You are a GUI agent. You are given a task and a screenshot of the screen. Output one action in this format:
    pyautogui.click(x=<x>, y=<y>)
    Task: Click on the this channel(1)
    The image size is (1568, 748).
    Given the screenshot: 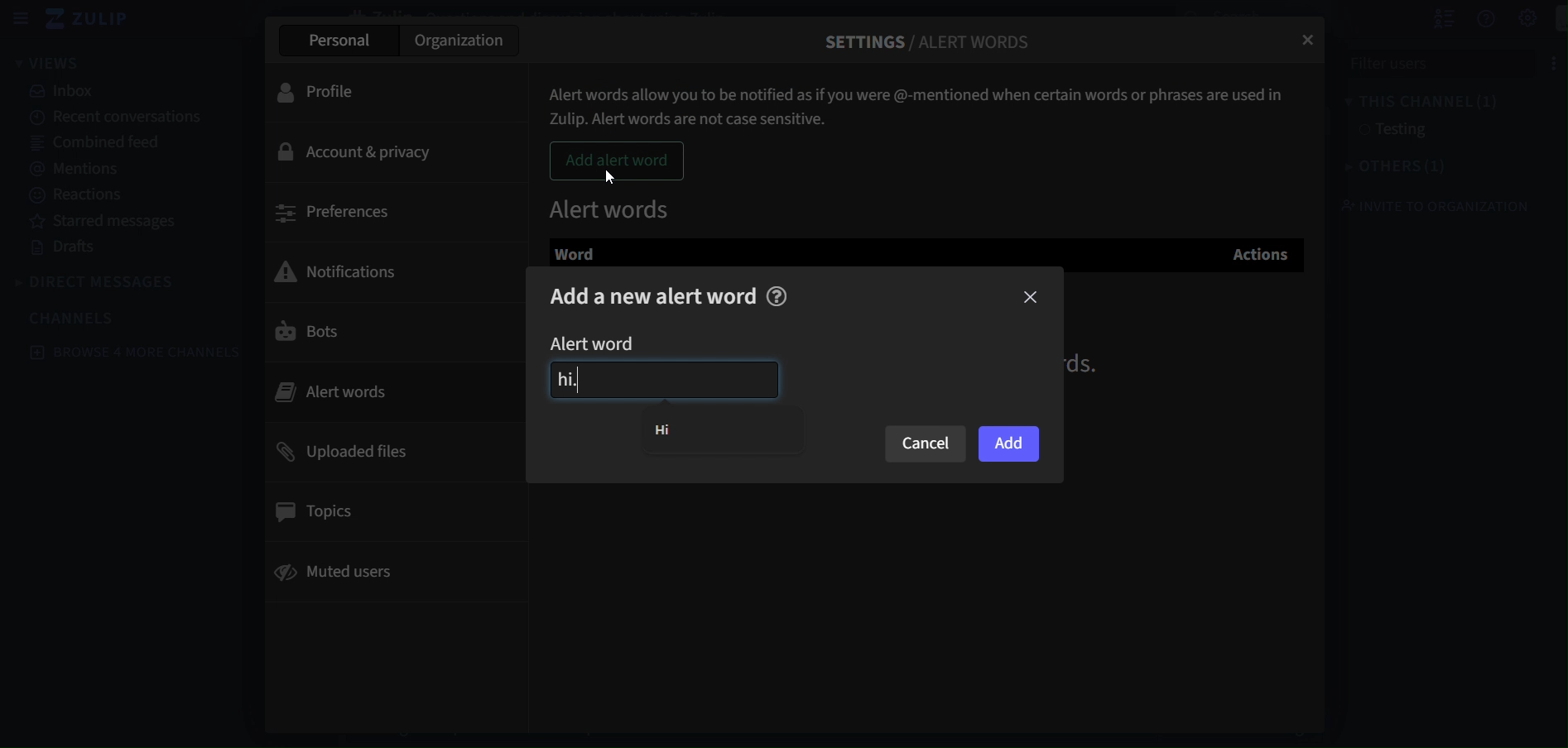 What is the action you would take?
    pyautogui.click(x=1408, y=102)
    